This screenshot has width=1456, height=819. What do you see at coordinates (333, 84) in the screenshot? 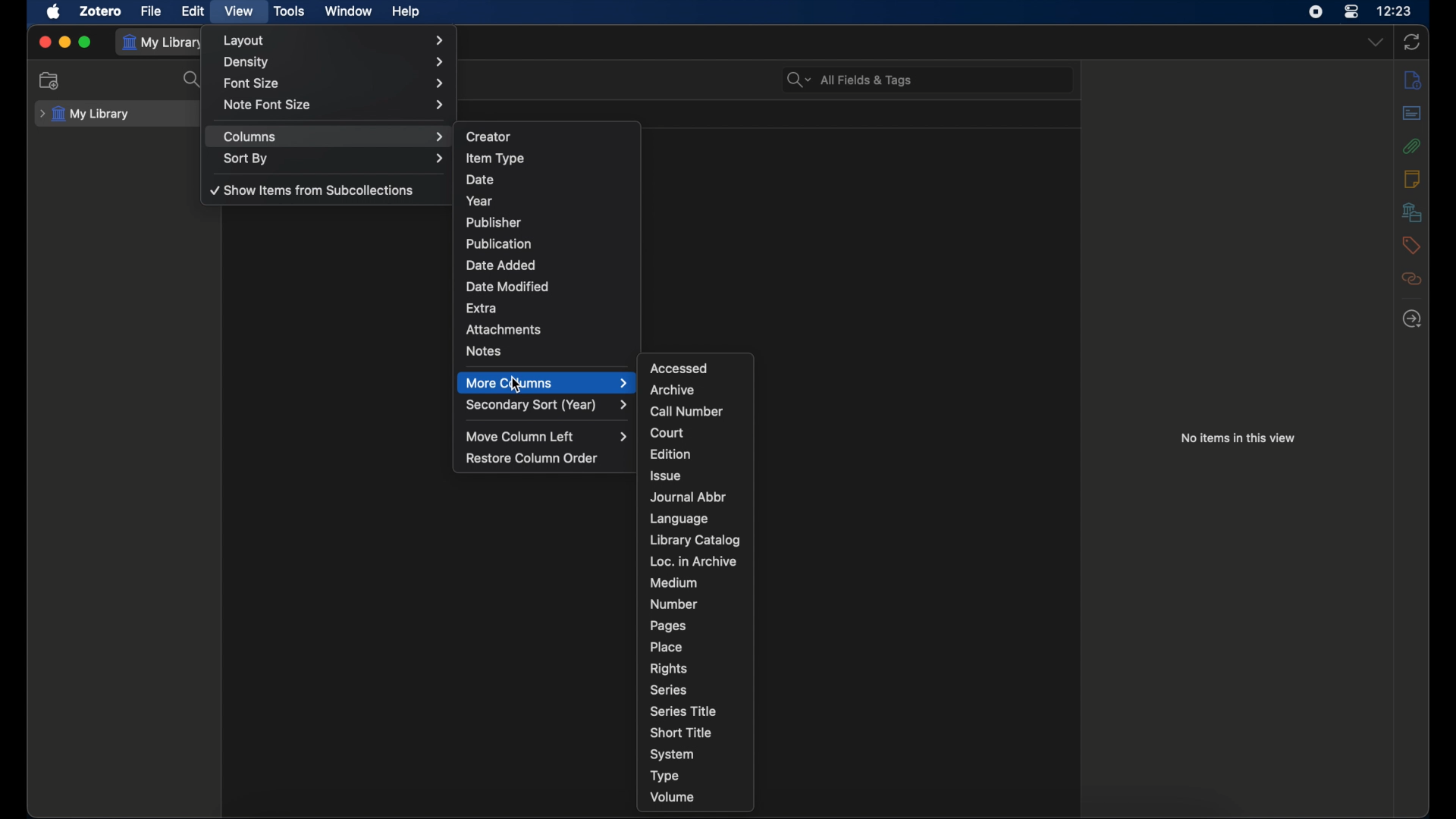
I see `font size` at bounding box center [333, 84].